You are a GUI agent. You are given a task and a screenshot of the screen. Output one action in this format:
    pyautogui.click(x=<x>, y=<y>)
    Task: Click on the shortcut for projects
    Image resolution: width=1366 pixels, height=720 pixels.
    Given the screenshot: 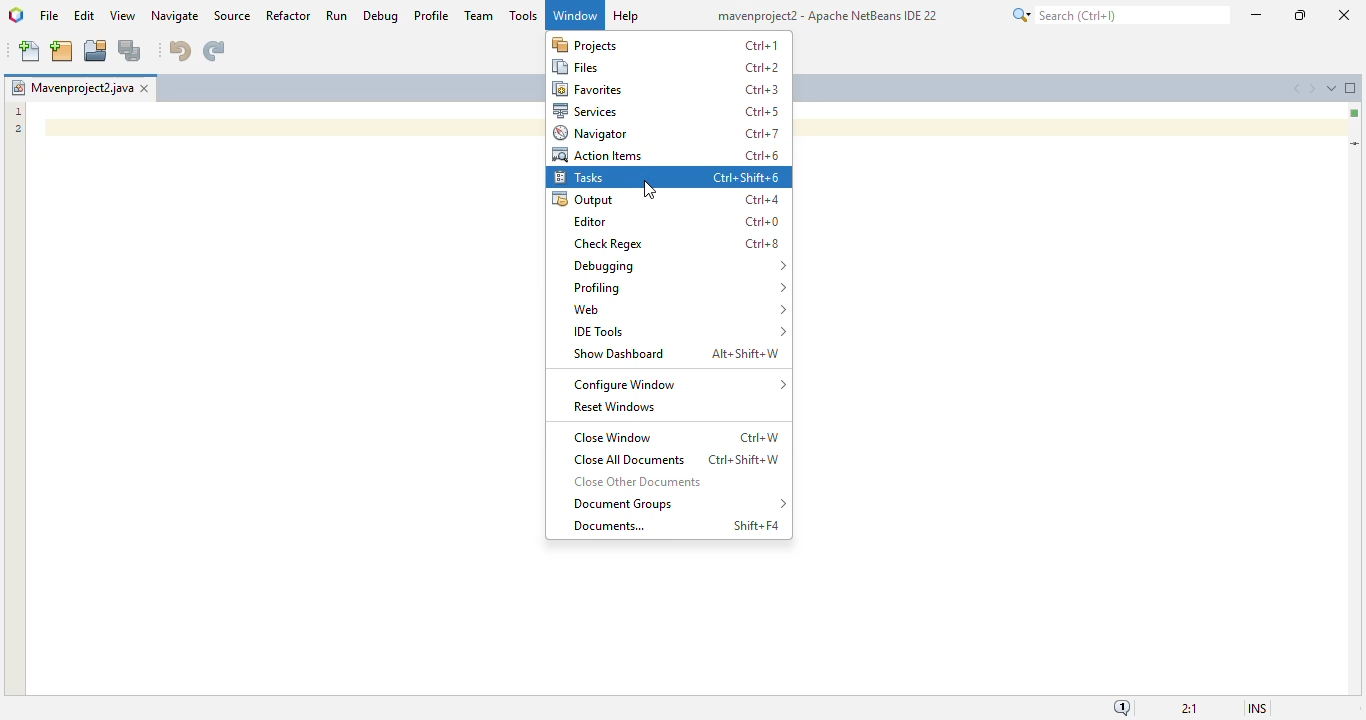 What is the action you would take?
    pyautogui.click(x=761, y=45)
    